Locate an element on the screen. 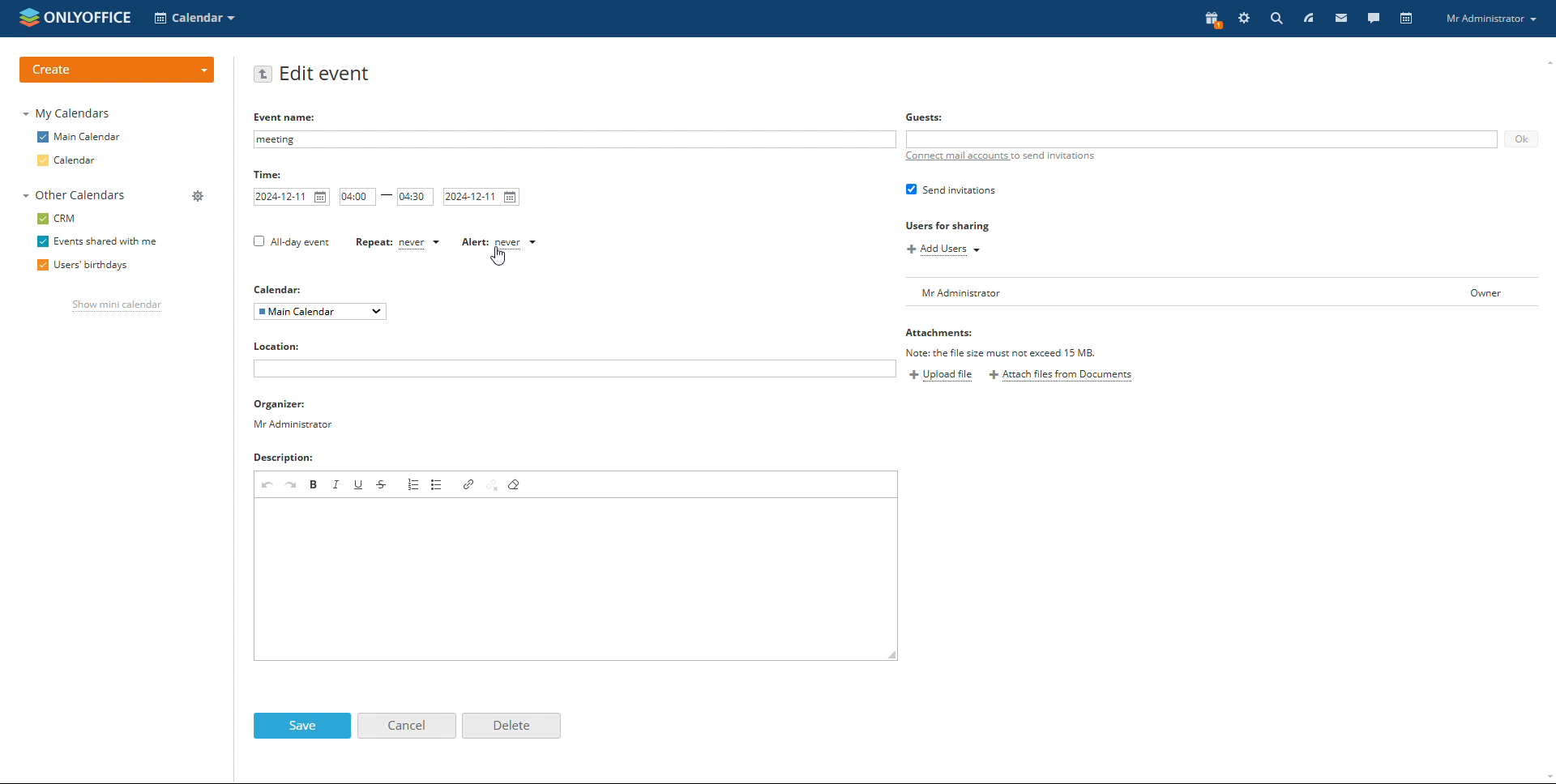  resize is located at coordinates (891, 655).